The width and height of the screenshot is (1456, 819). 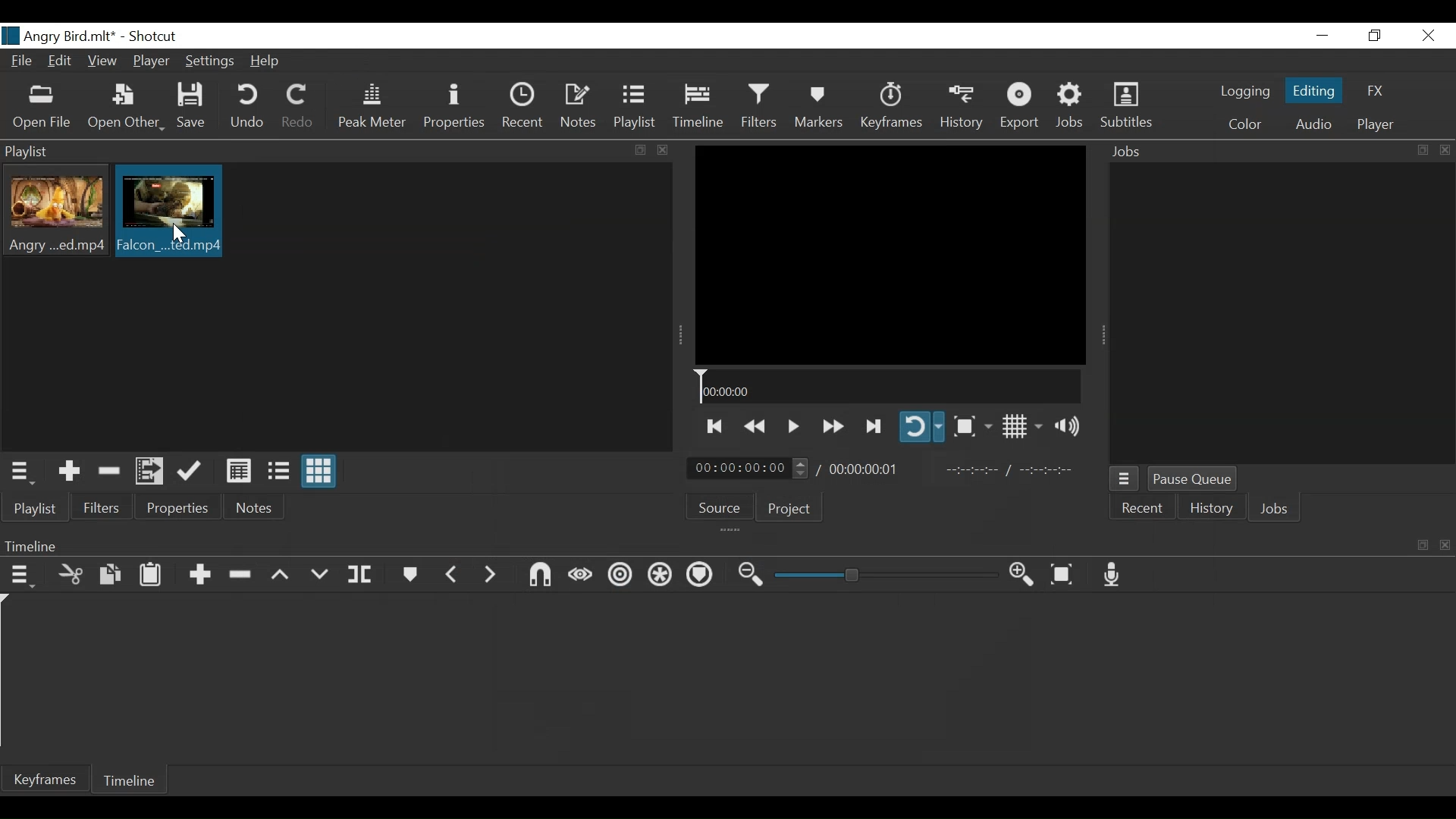 What do you see at coordinates (1015, 470) in the screenshot?
I see `In point` at bounding box center [1015, 470].